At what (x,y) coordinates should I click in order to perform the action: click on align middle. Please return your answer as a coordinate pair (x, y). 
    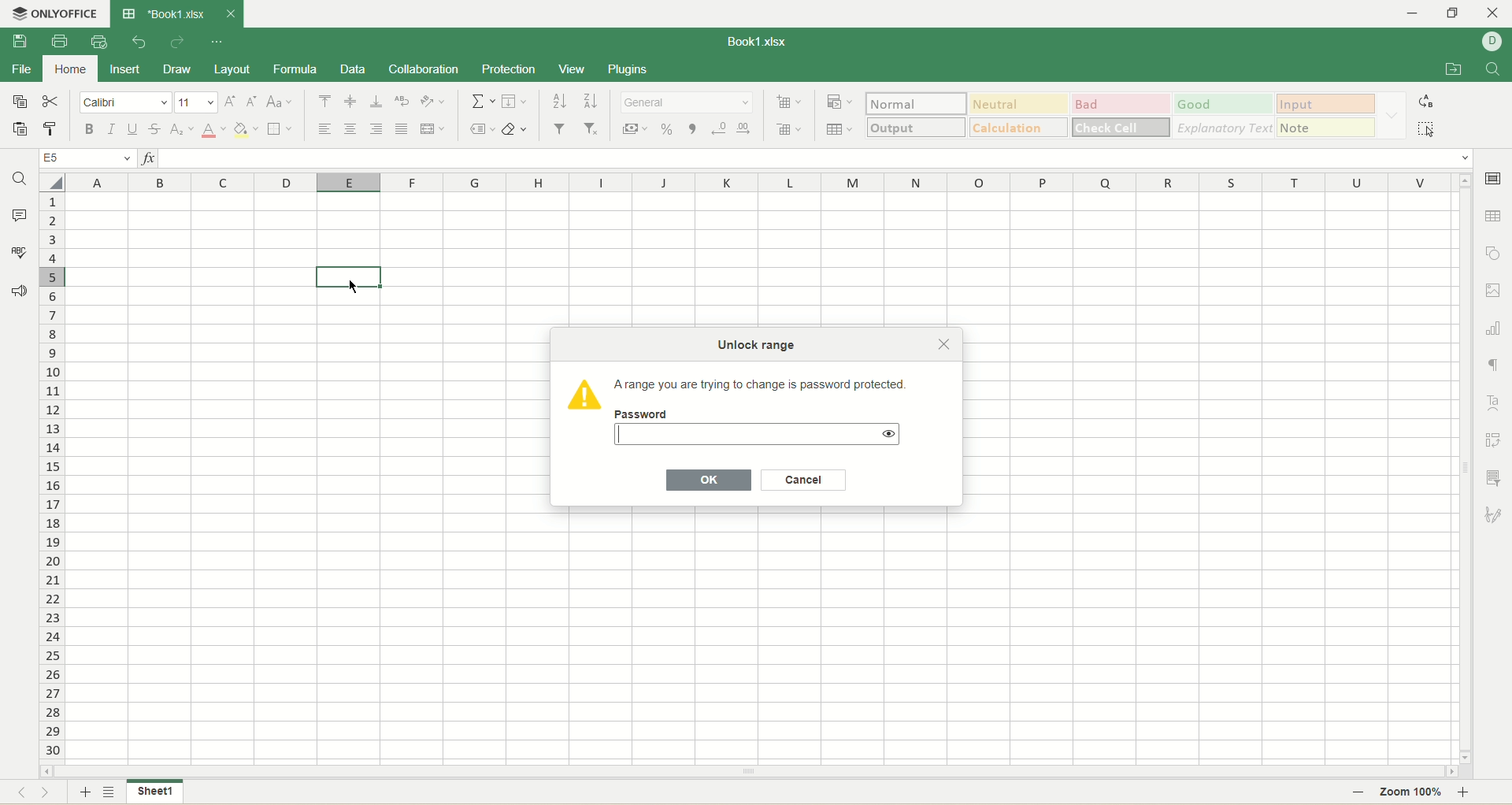
    Looking at the image, I should click on (350, 102).